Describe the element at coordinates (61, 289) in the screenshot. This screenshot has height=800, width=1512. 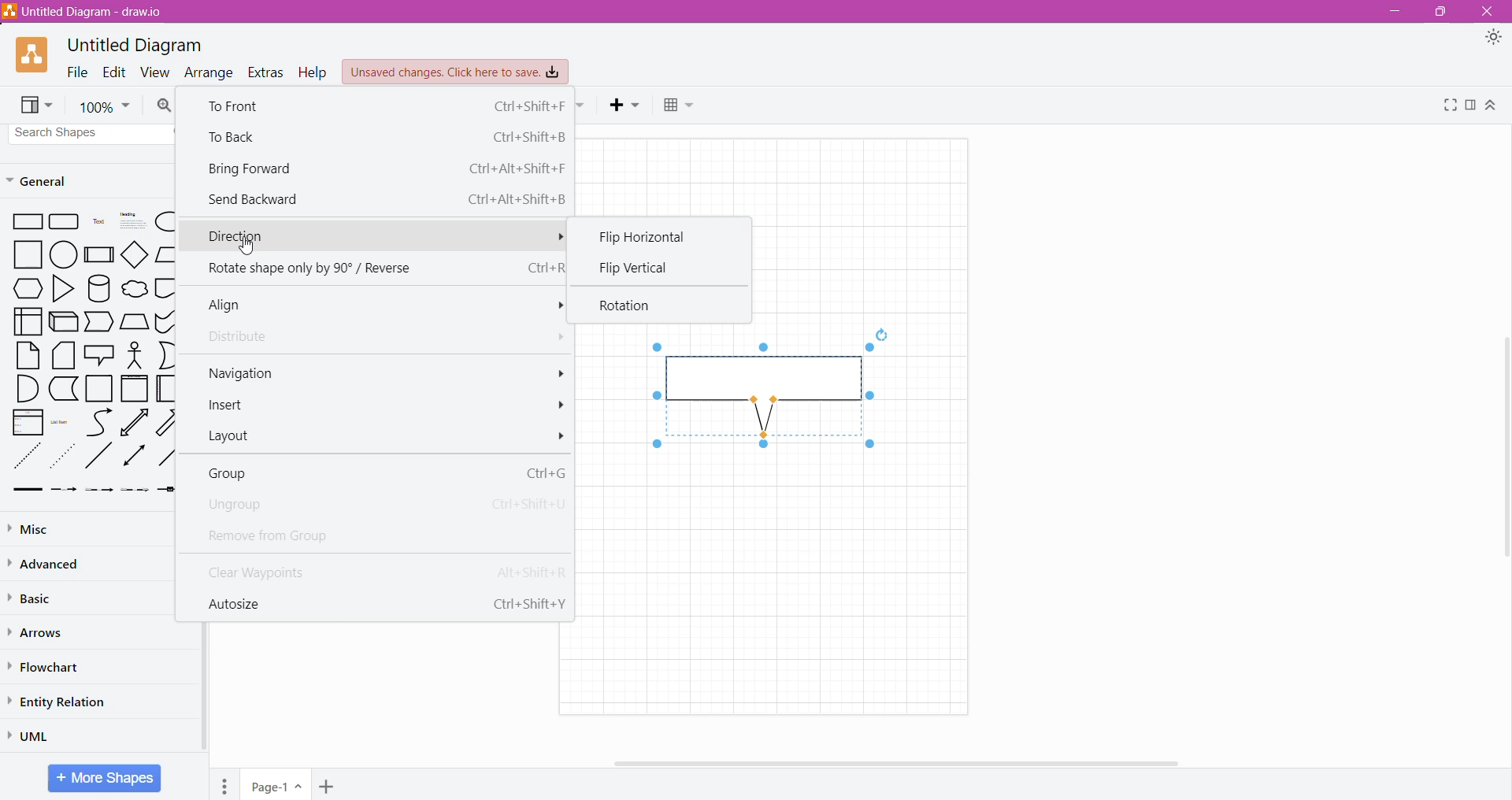
I see `triangle` at that location.